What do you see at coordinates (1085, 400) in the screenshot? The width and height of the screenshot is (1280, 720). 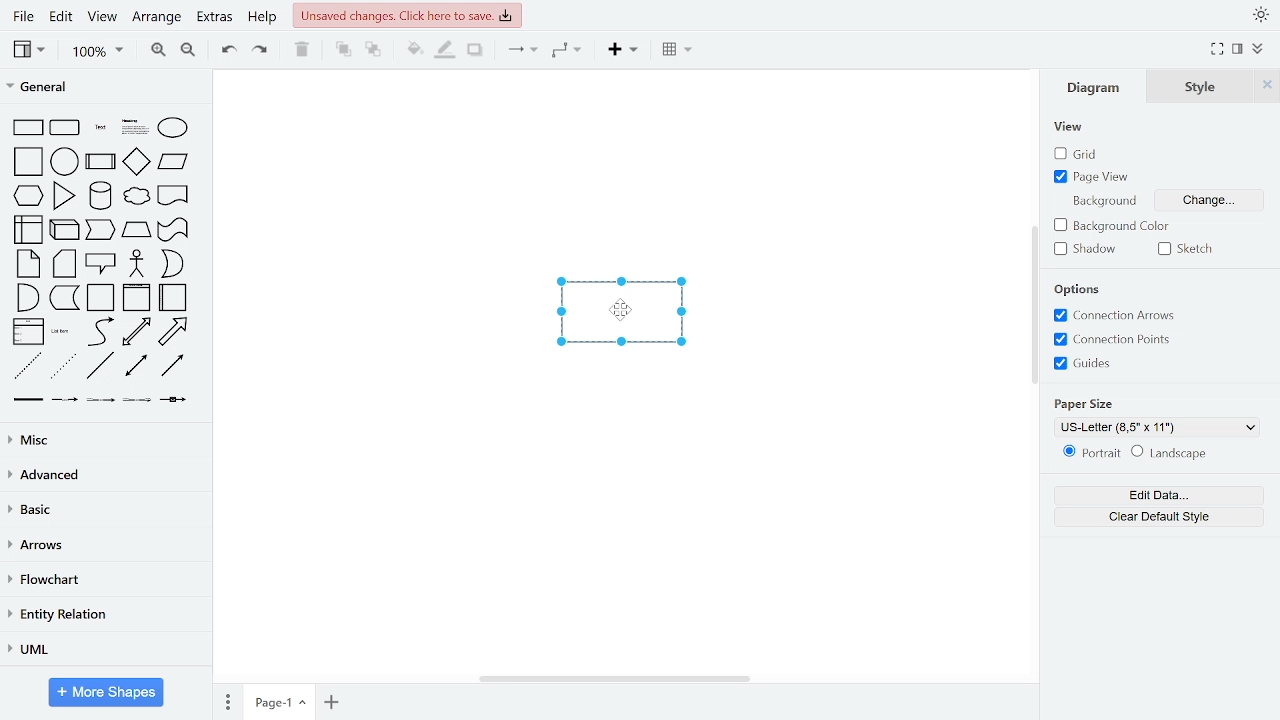 I see `Paper Size` at bounding box center [1085, 400].